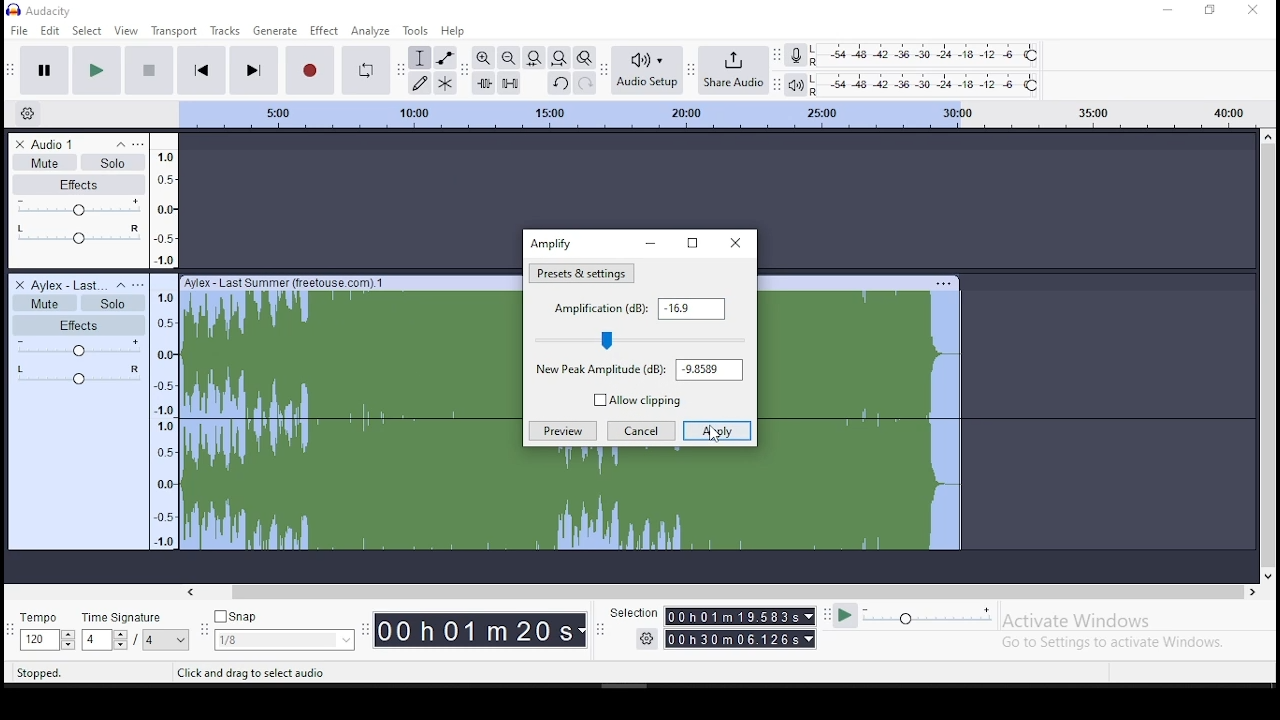  I want to click on mute, so click(43, 302).